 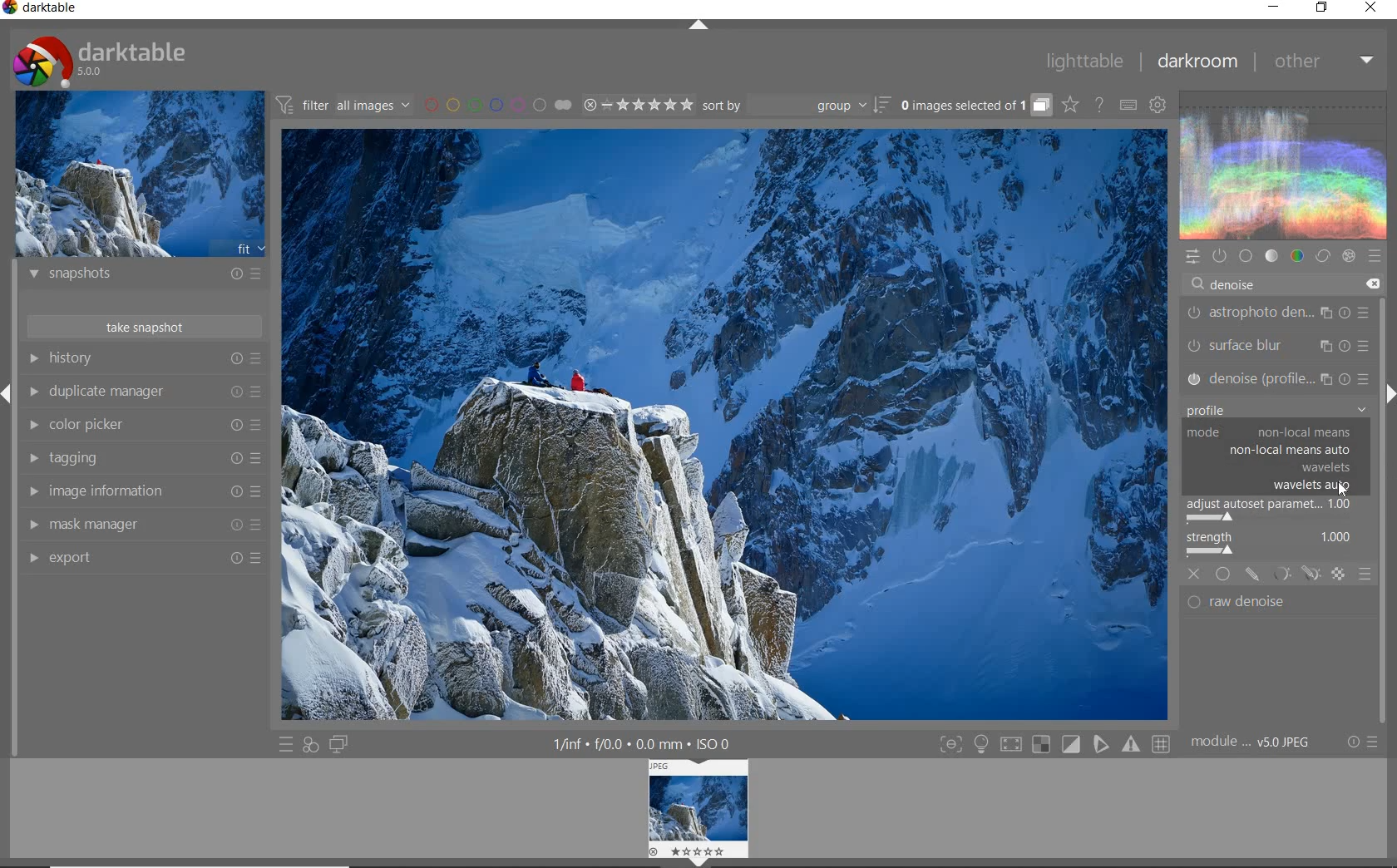 What do you see at coordinates (144, 358) in the screenshot?
I see `history` at bounding box center [144, 358].